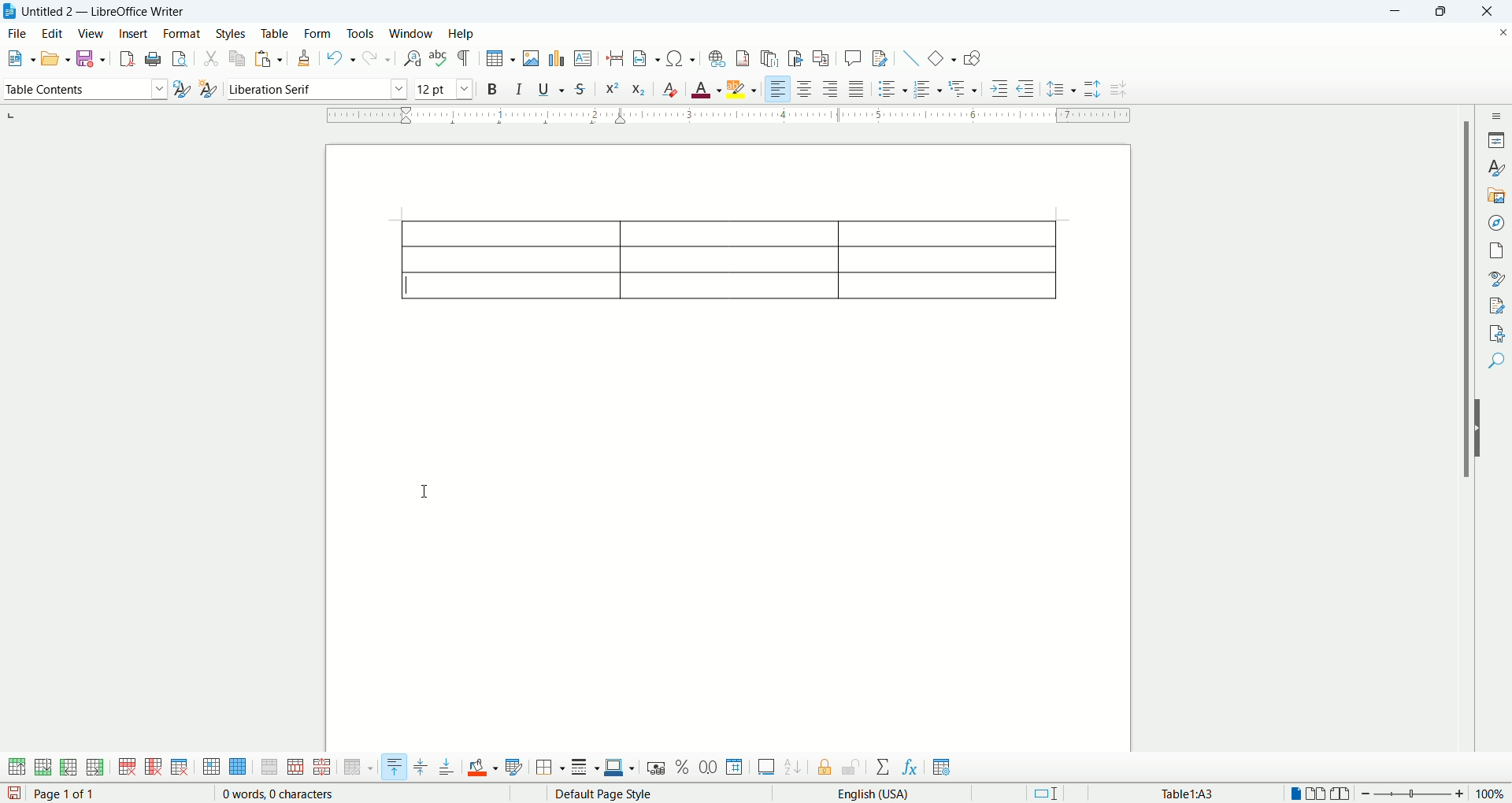 The height and width of the screenshot is (803, 1512). What do you see at coordinates (602, 794) in the screenshot?
I see `default page style` at bounding box center [602, 794].